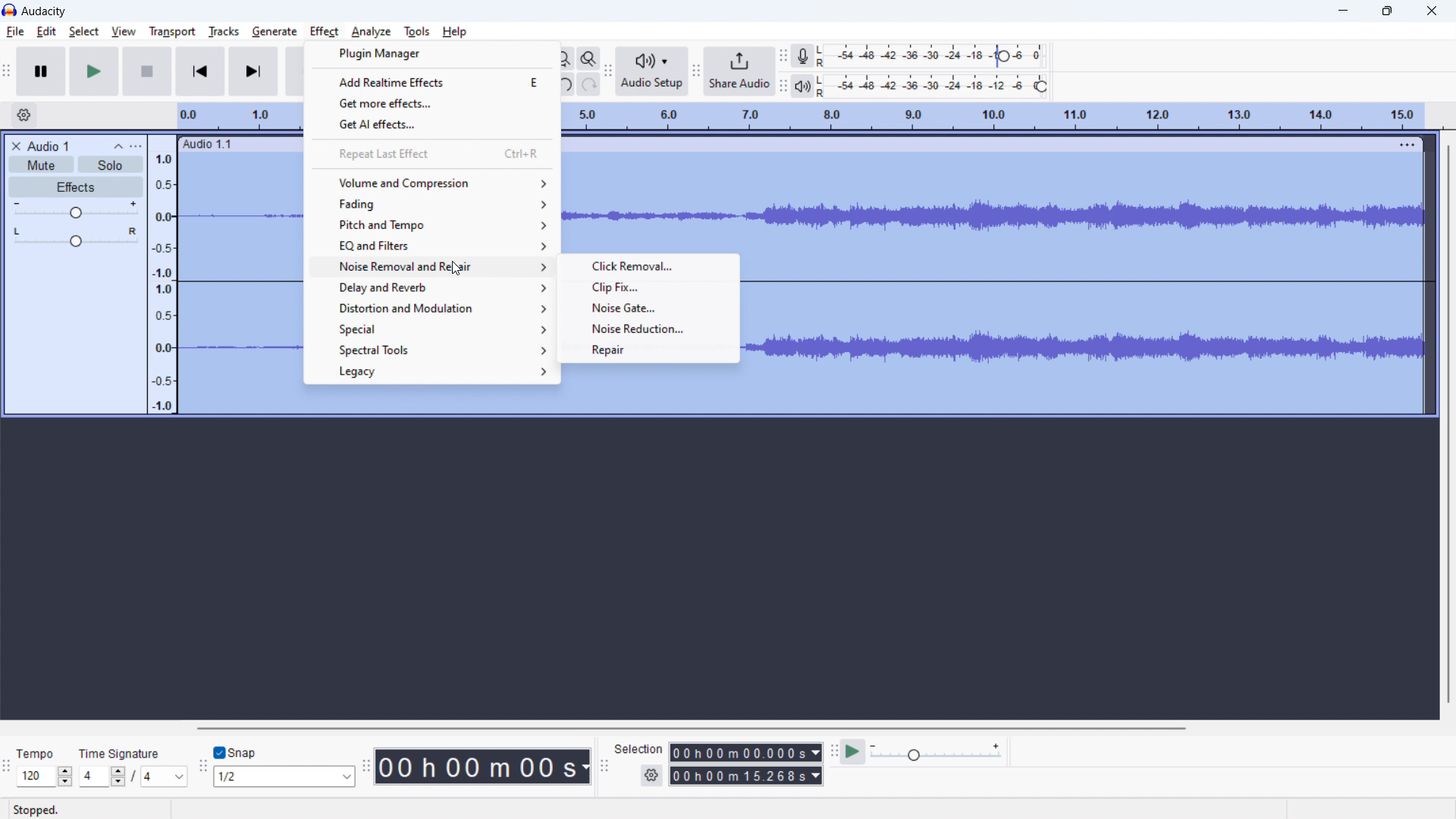  I want to click on start time, so click(746, 752).